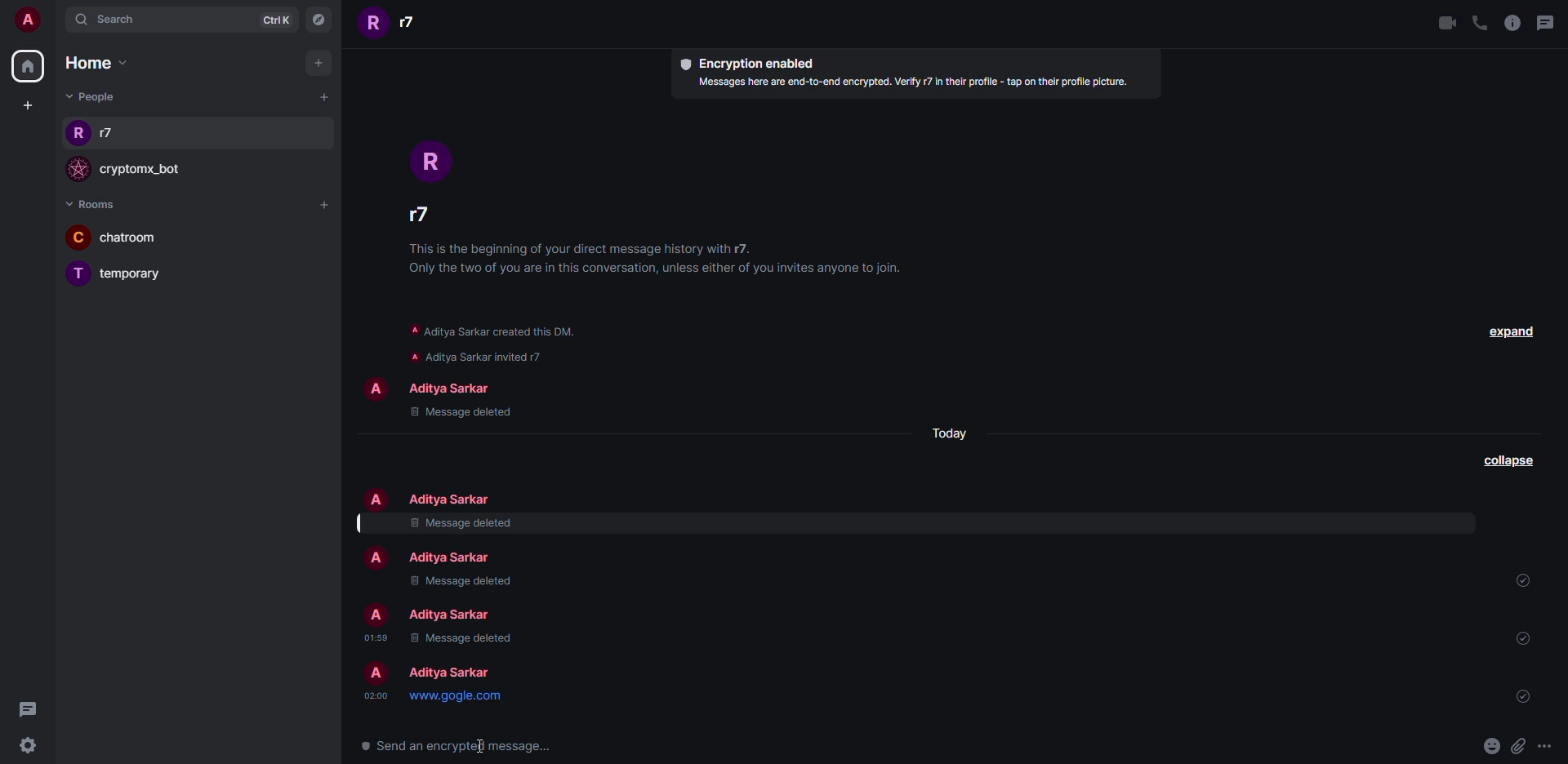 Image resolution: width=1568 pixels, height=764 pixels. I want to click on info, so click(915, 84).